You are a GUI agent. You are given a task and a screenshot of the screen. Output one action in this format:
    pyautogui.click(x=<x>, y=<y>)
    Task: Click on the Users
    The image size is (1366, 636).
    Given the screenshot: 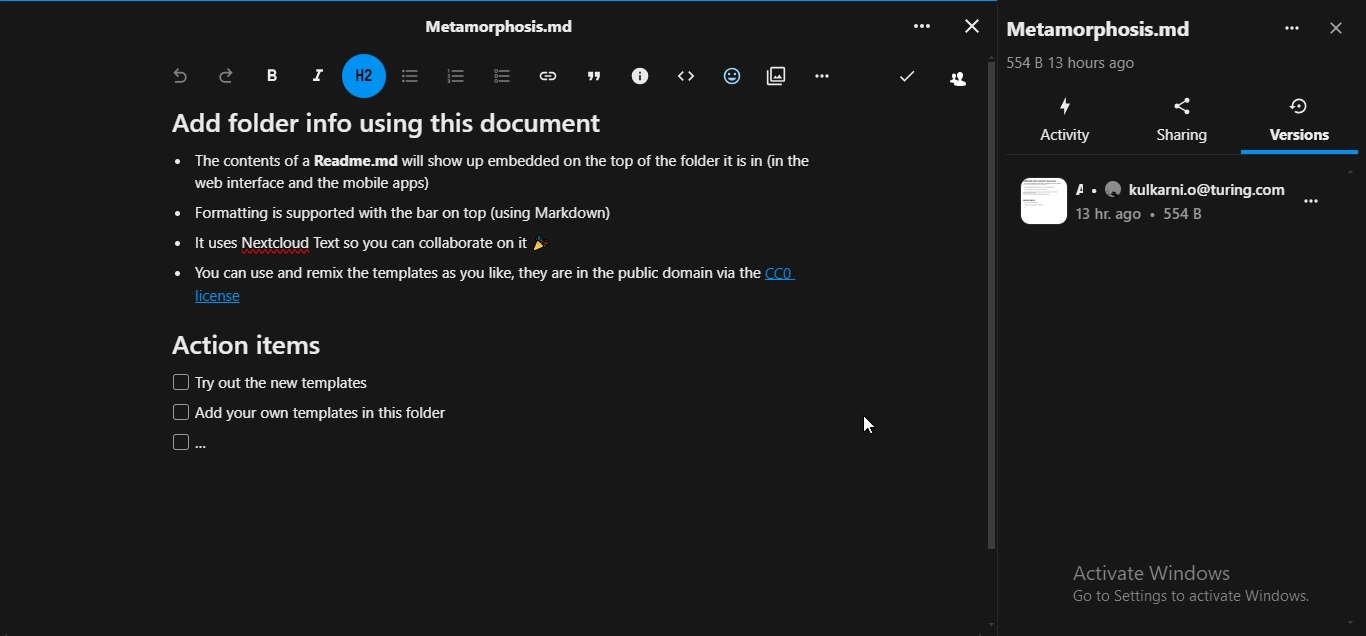 What is the action you would take?
    pyautogui.click(x=956, y=78)
    